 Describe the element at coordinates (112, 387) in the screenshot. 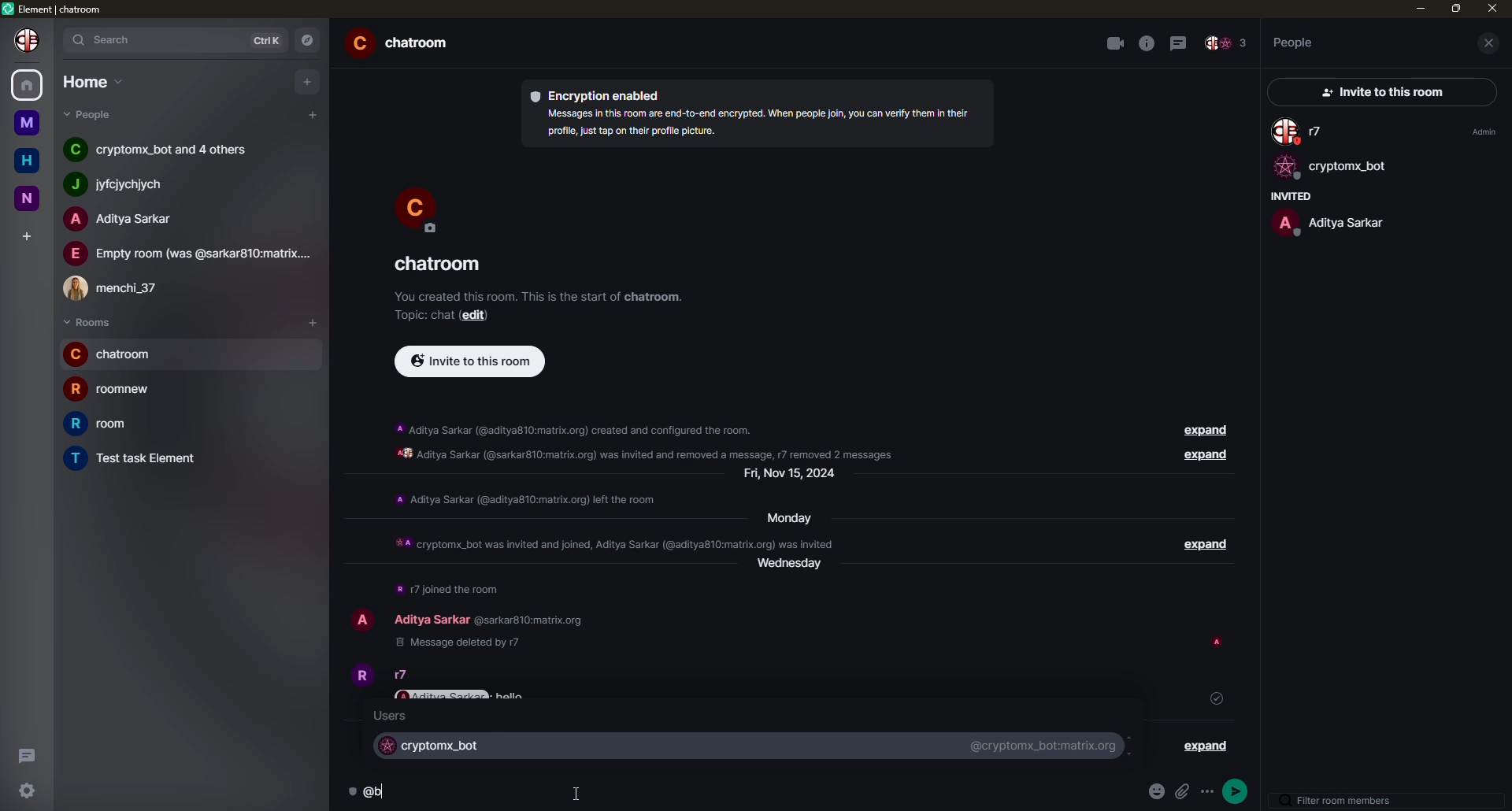

I see `room` at that location.